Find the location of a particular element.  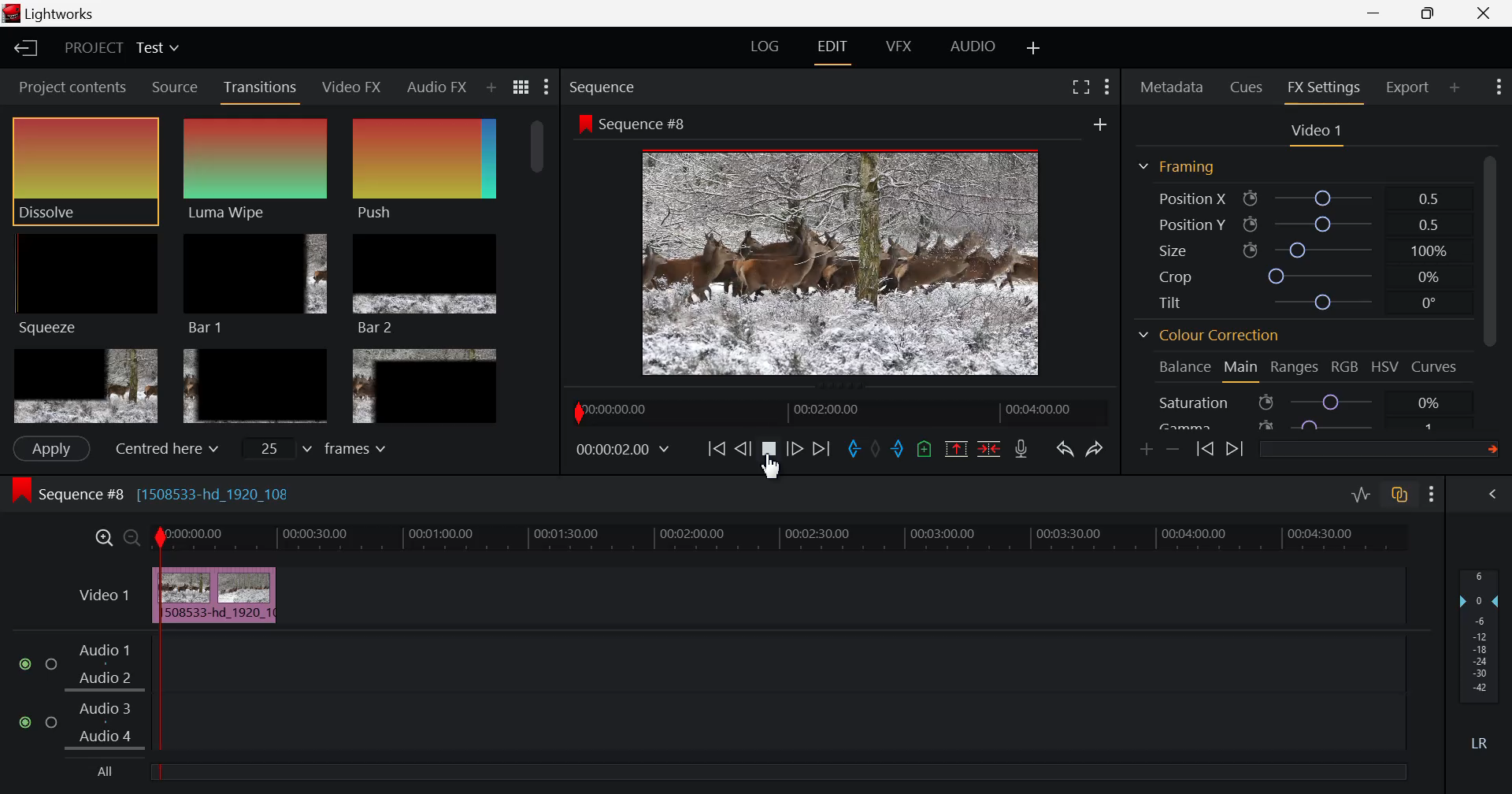

Position Y is located at coordinates (1304, 224).